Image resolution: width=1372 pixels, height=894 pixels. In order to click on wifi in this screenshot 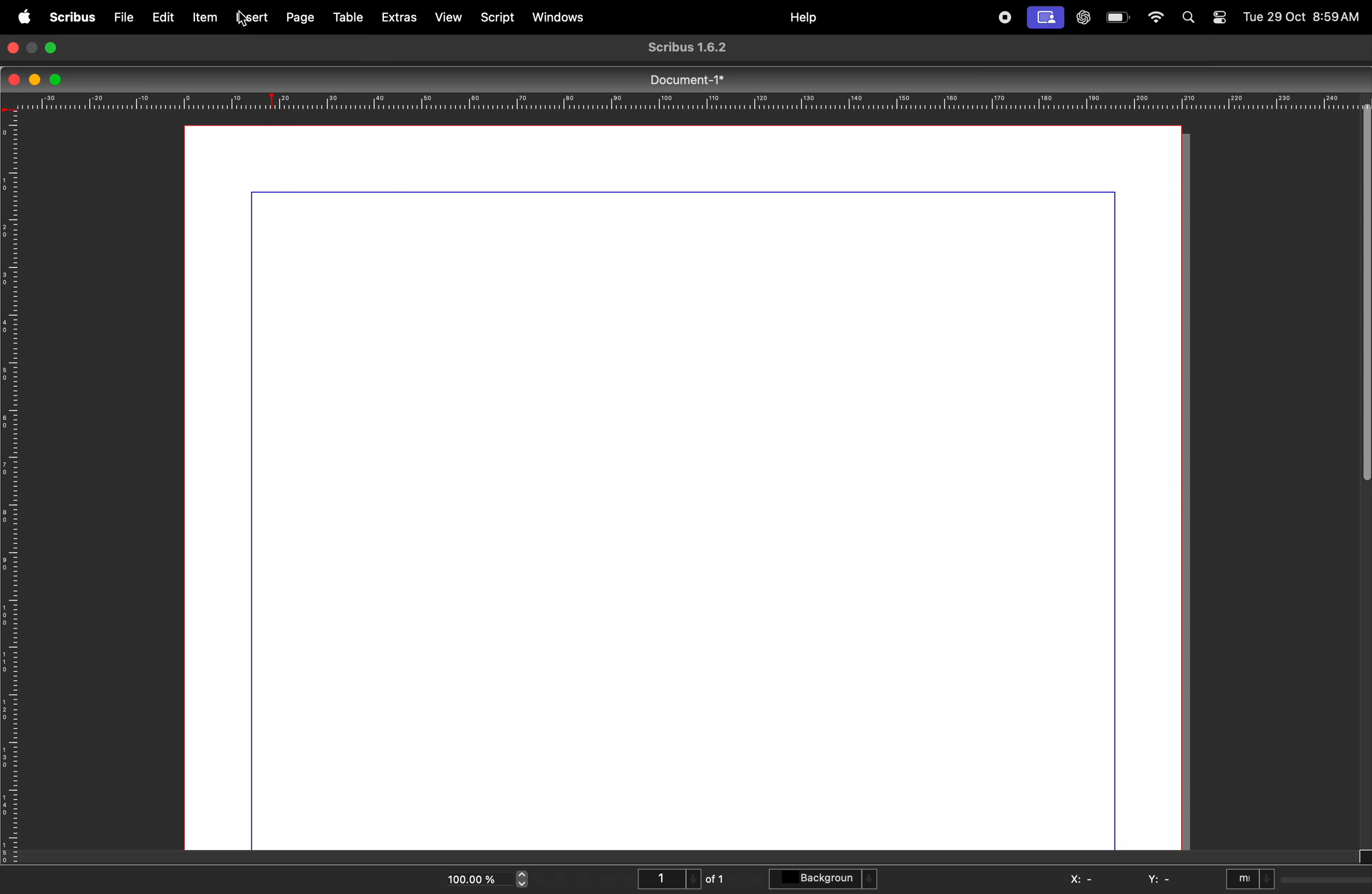, I will do `click(1155, 18)`.